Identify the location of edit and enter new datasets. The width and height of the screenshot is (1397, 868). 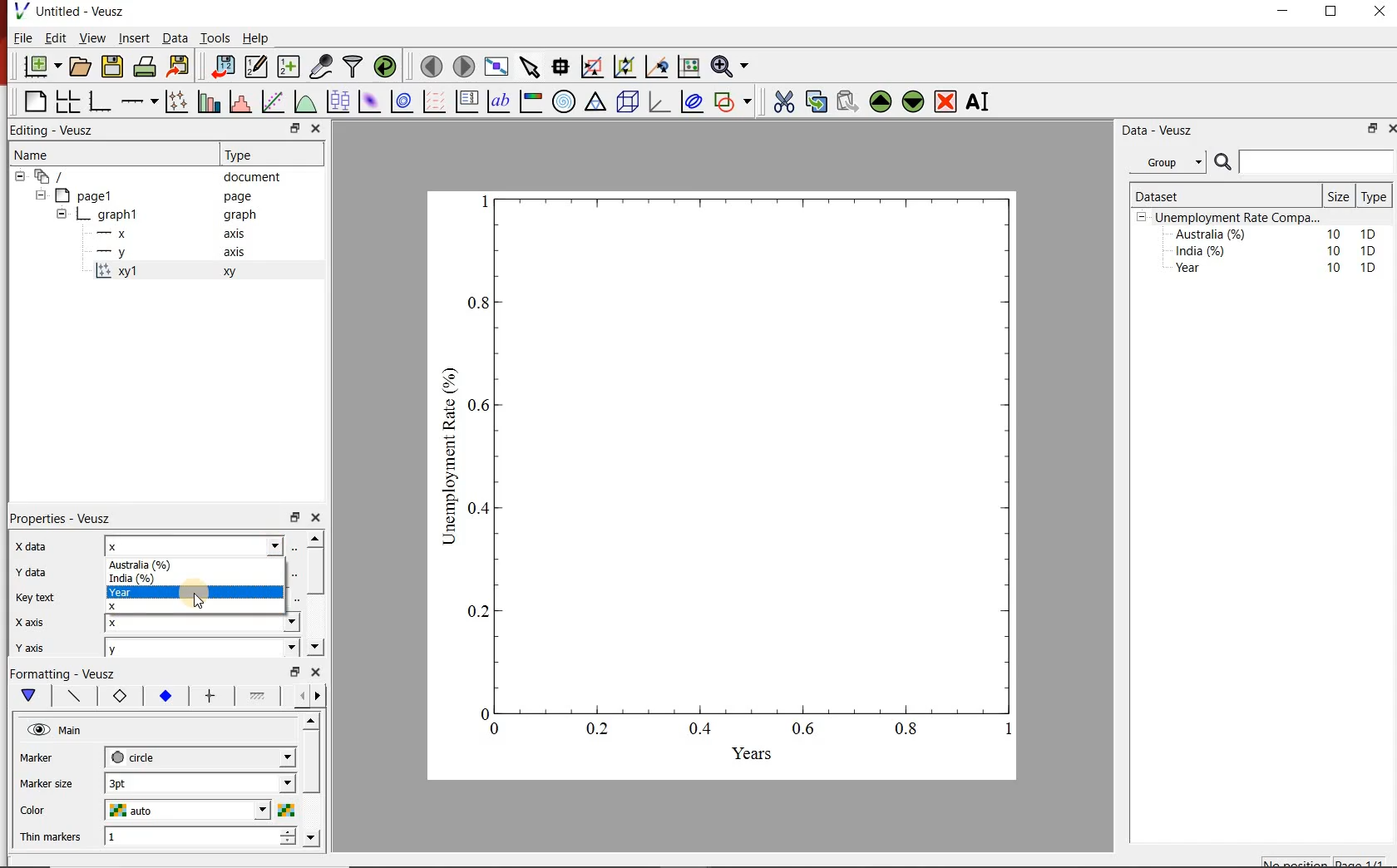
(258, 65).